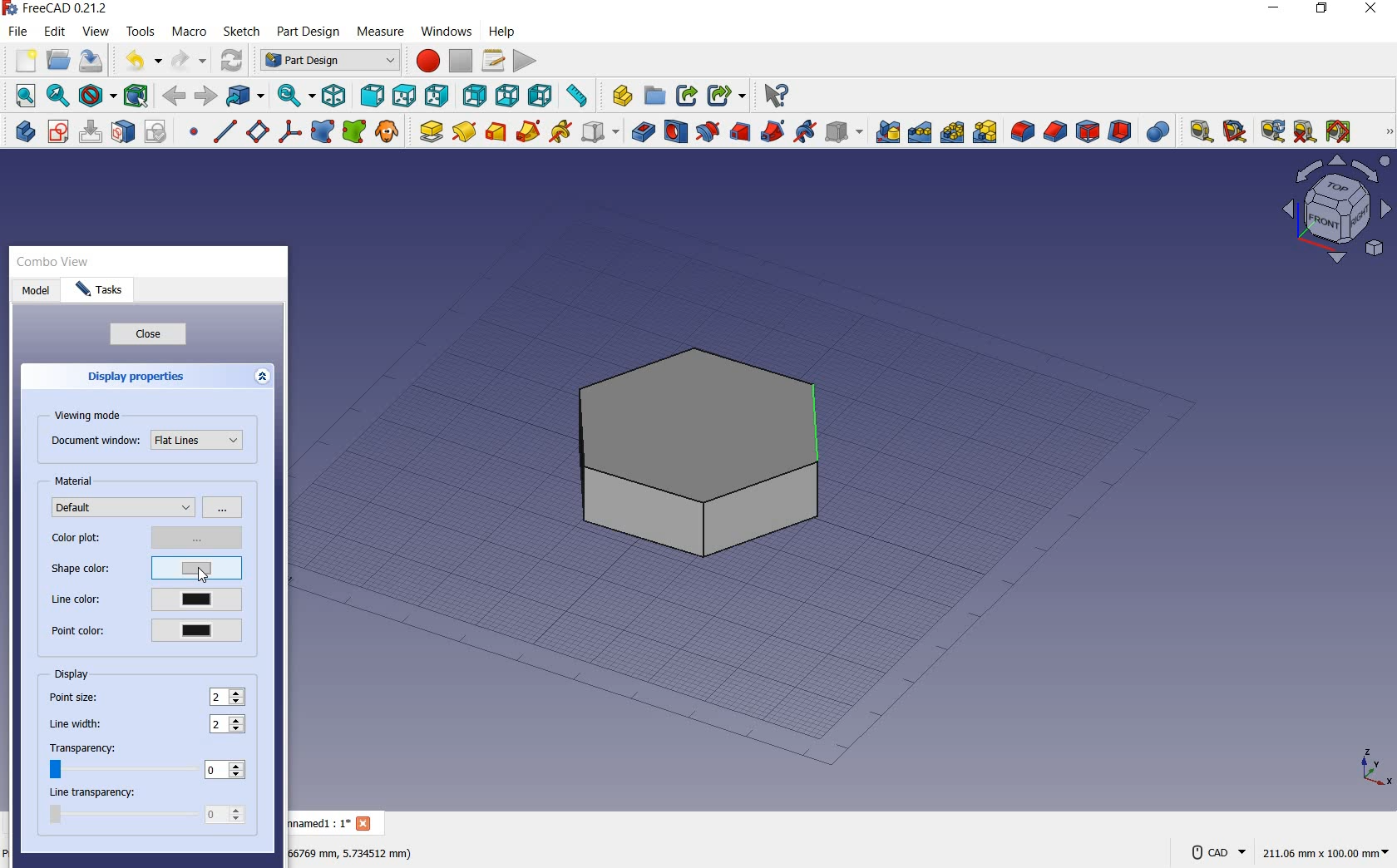 The width and height of the screenshot is (1397, 868). I want to click on bottom, so click(510, 95).